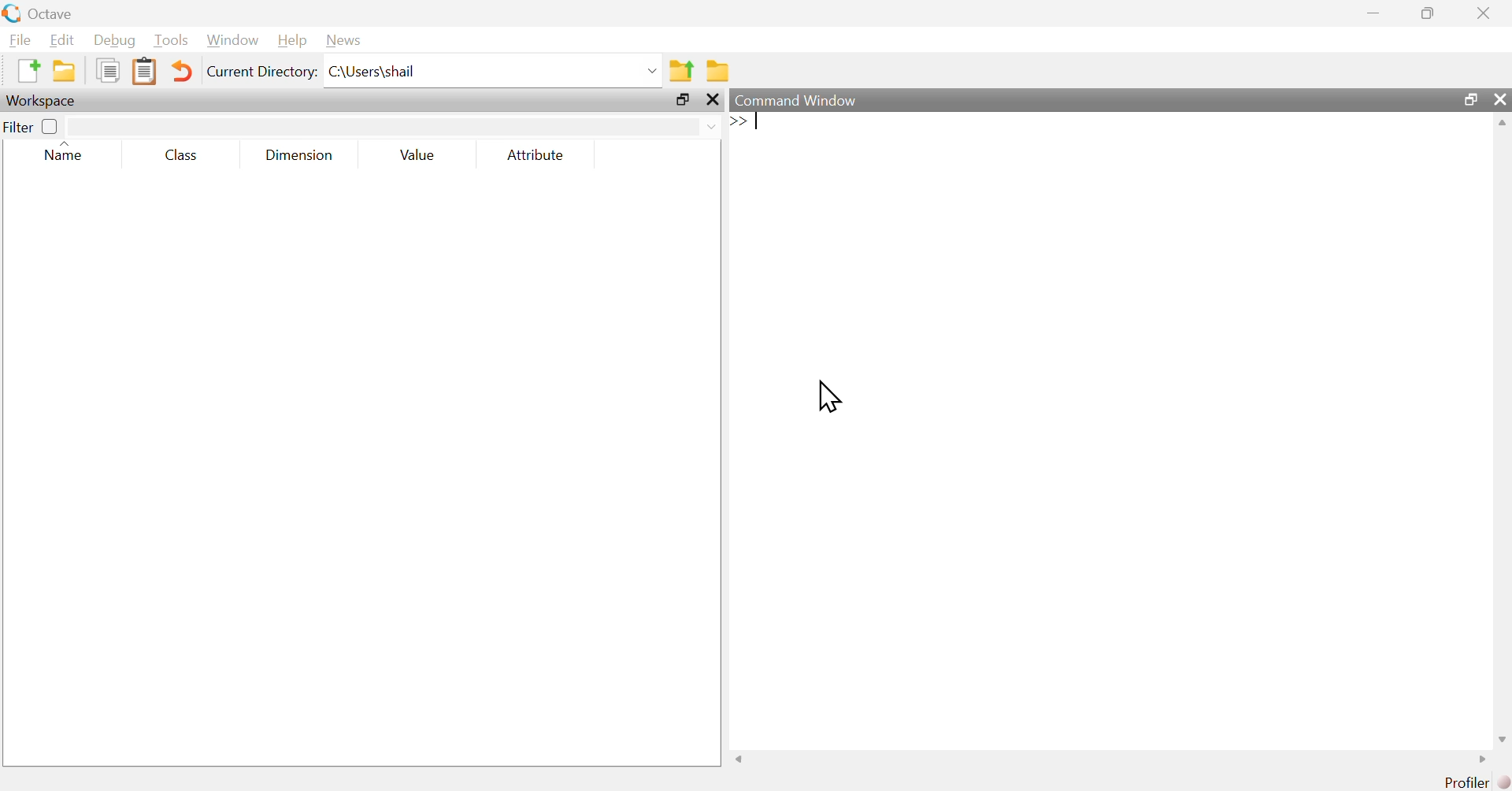  Describe the element at coordinates (832, 399) in the screenshot. I see `cursor` at that location.